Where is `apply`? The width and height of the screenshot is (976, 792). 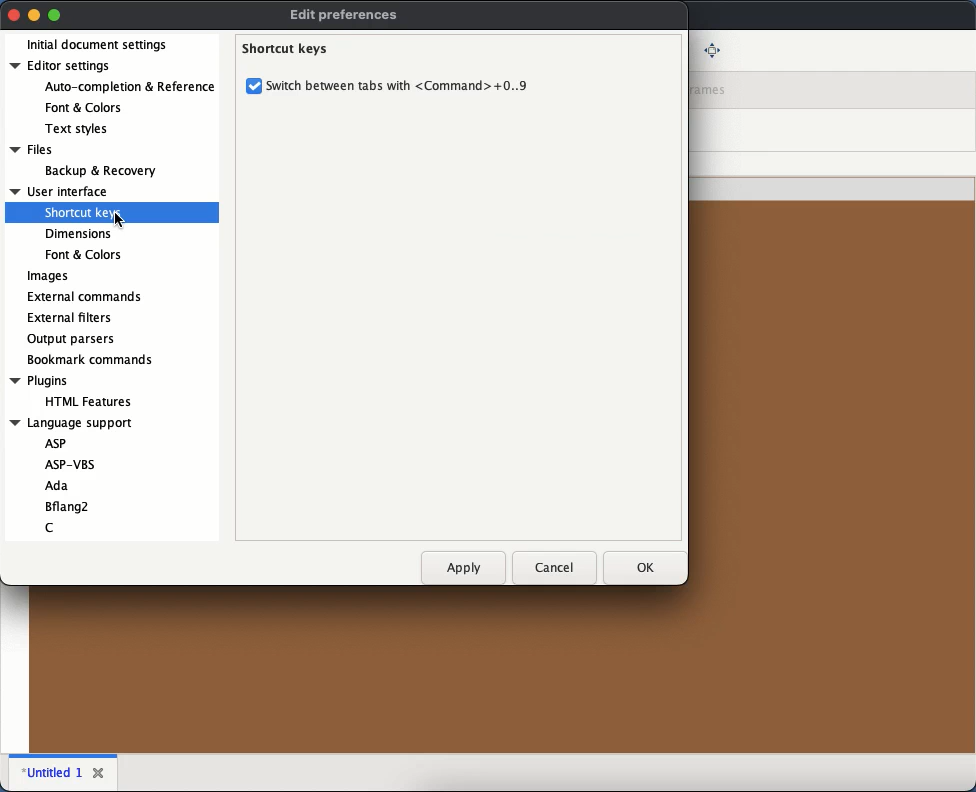 apply is located at coordinates (462, 568).